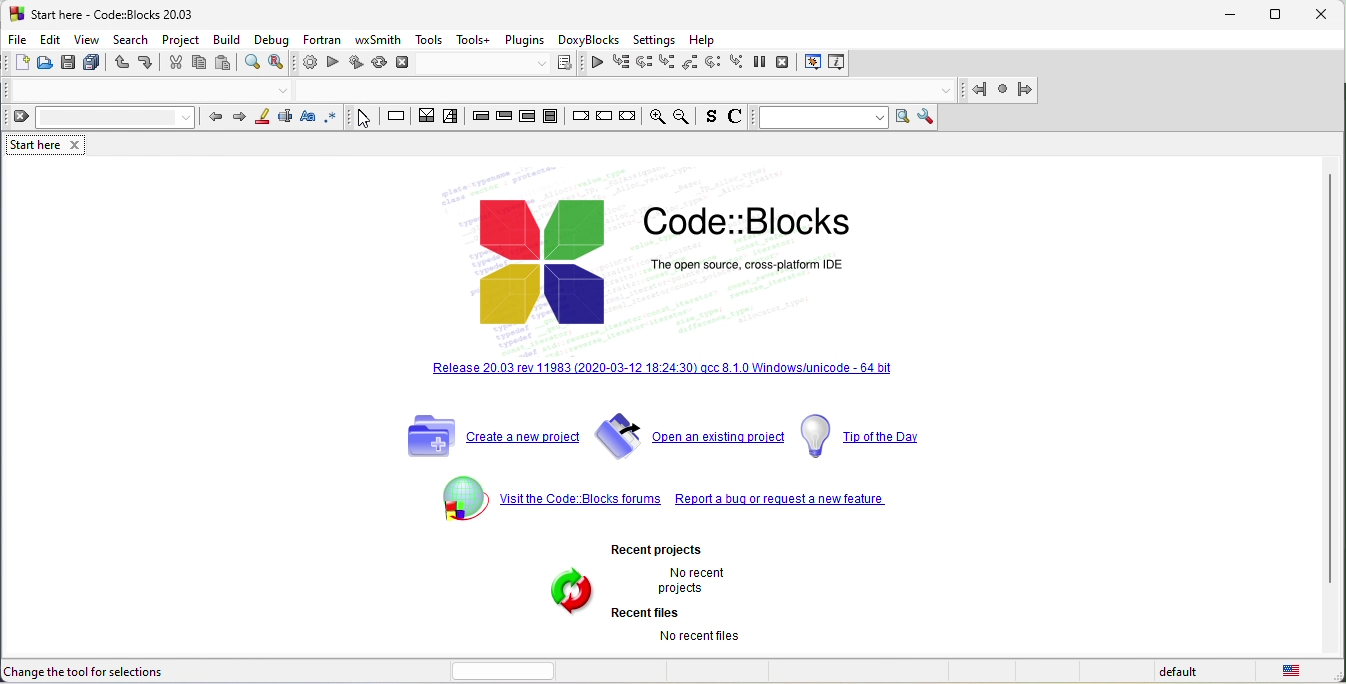  I want to click on jump back, so click(974, 89).